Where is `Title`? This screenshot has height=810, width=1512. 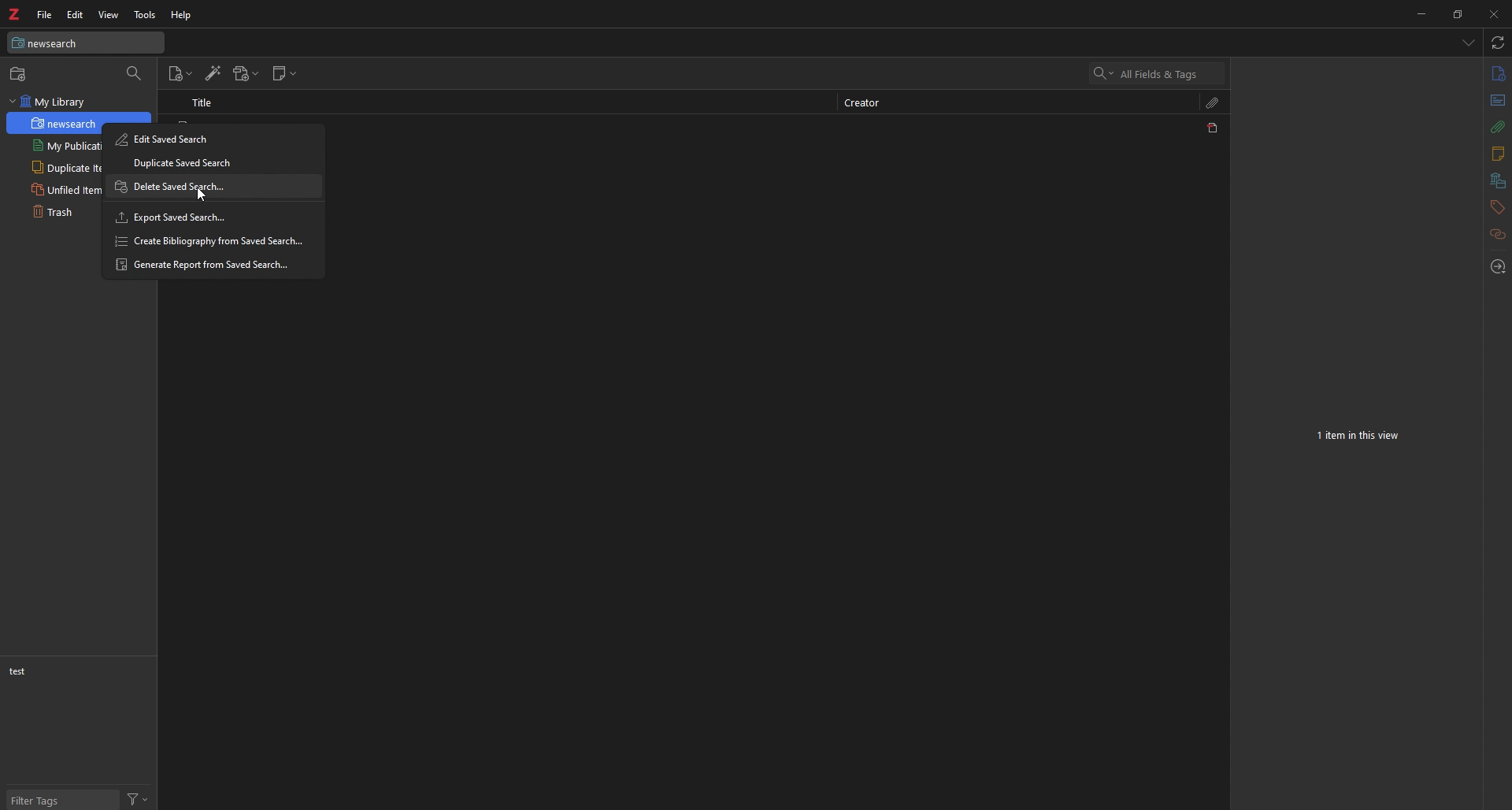
Title is located at coordinates (203, 104).